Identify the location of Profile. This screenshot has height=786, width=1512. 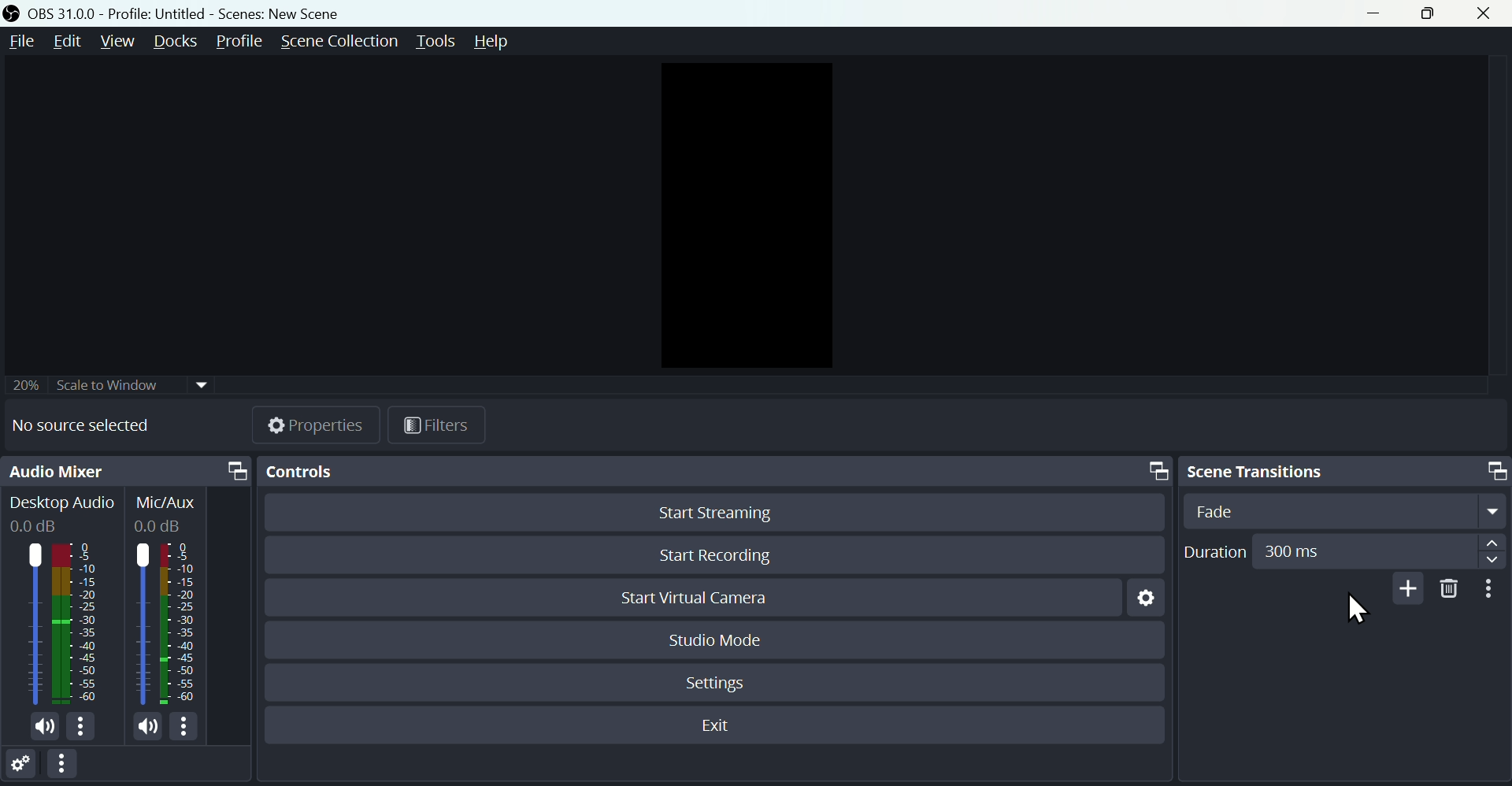
(238, 42).